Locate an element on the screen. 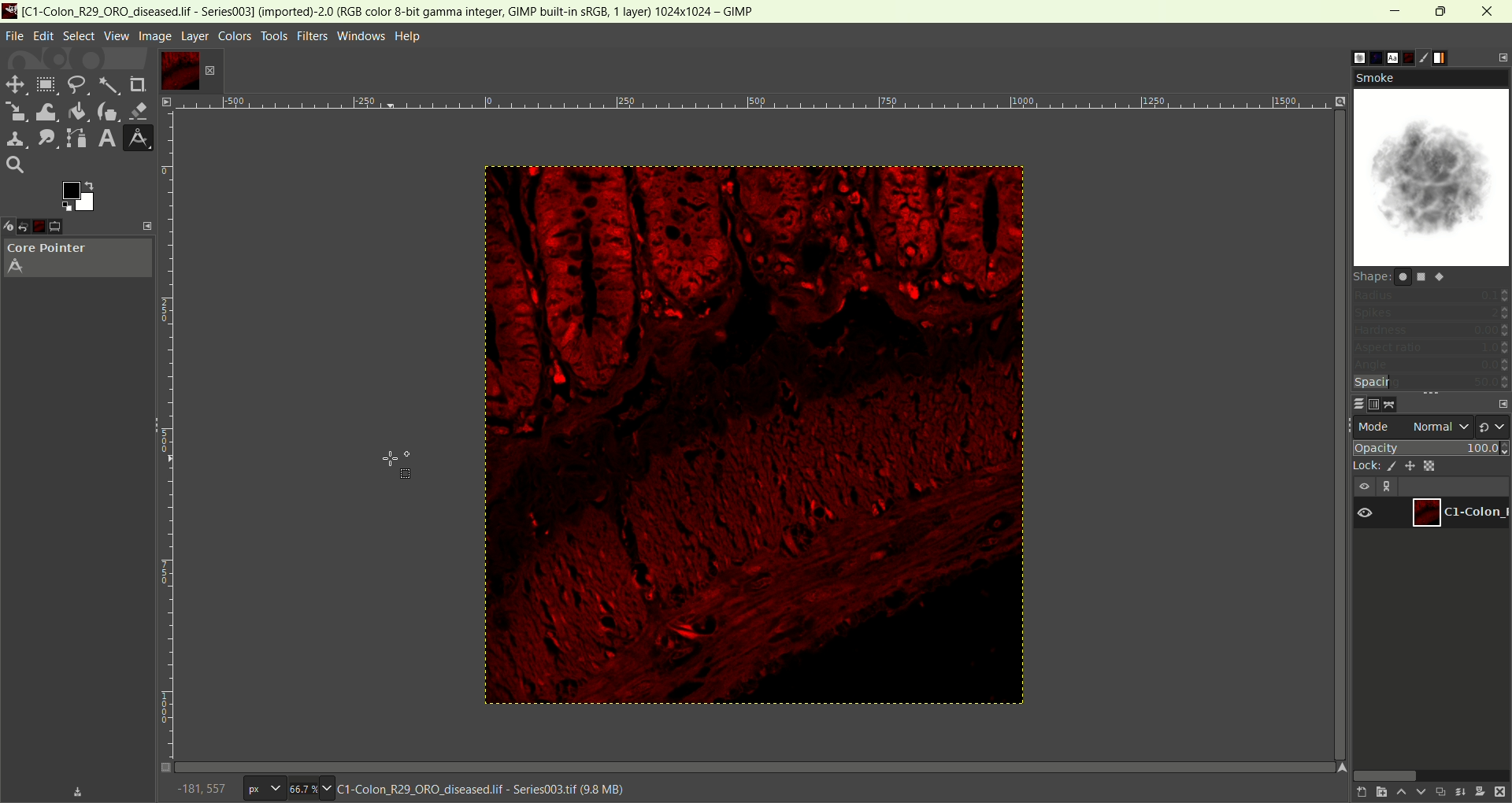 This screenshot has height=803, width=1512. scale is located at coordinates (13, 109).